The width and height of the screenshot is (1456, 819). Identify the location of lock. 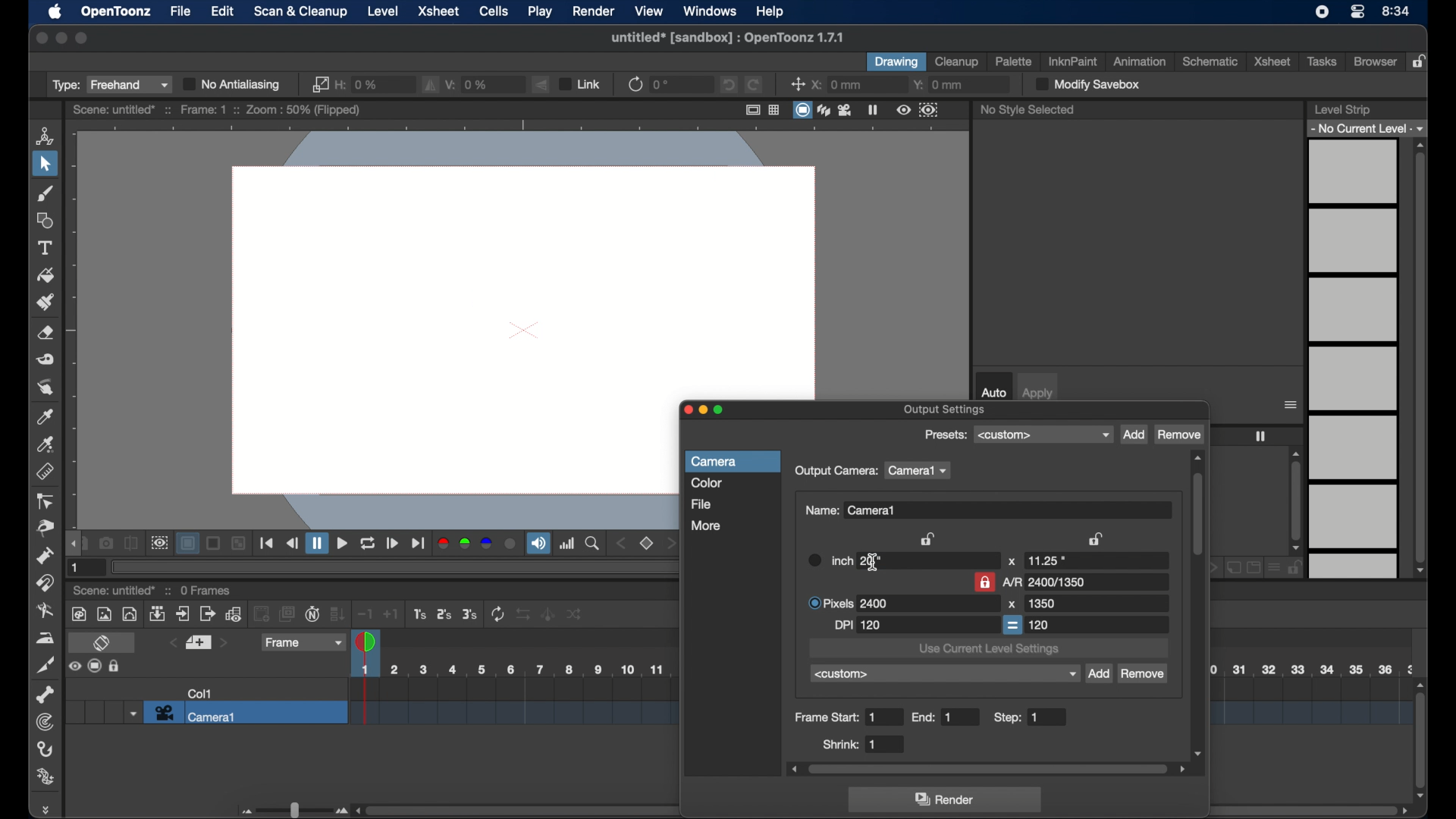
(984, 582).